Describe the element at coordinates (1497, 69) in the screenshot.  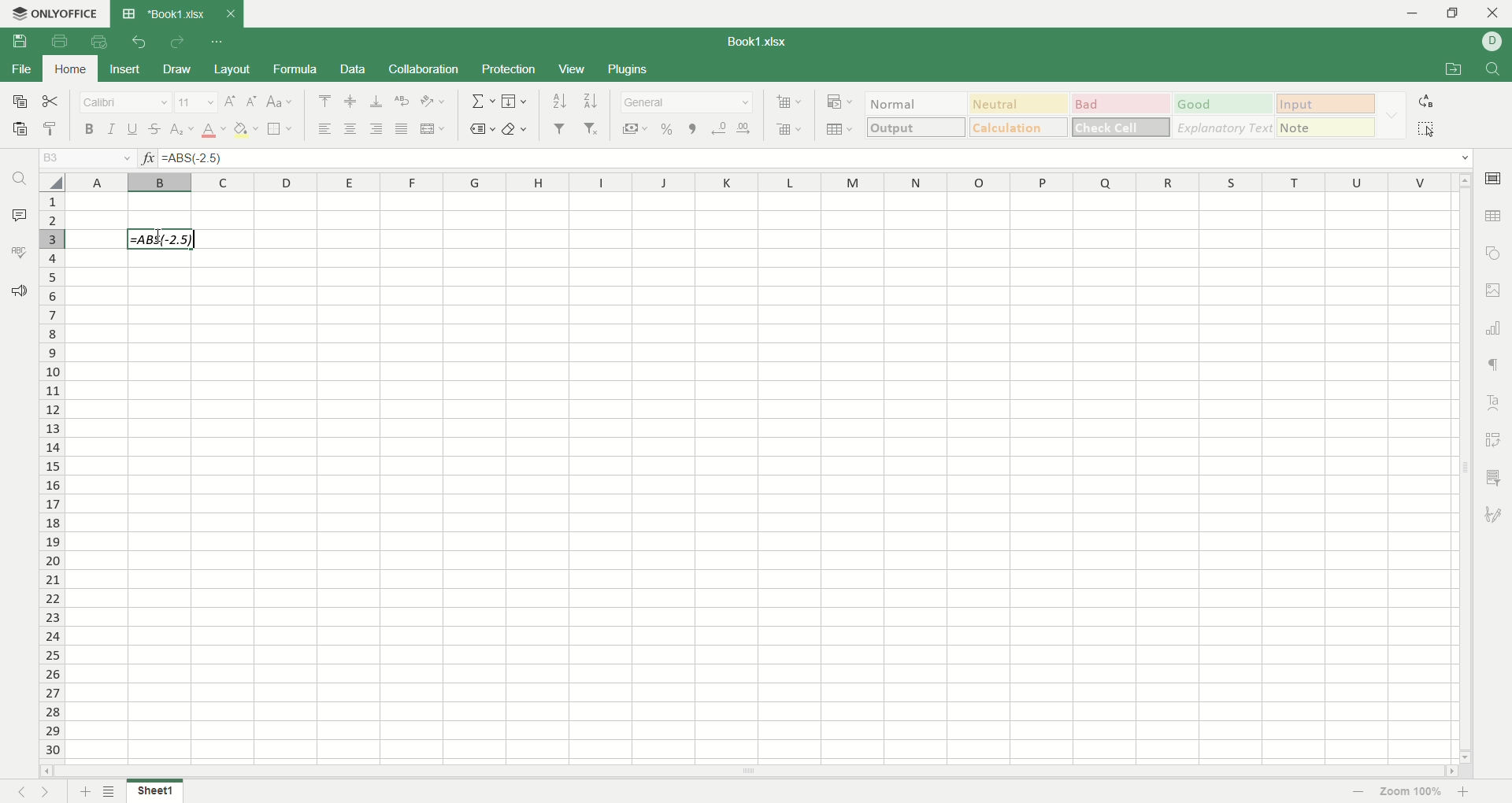
I see `find` at that location.